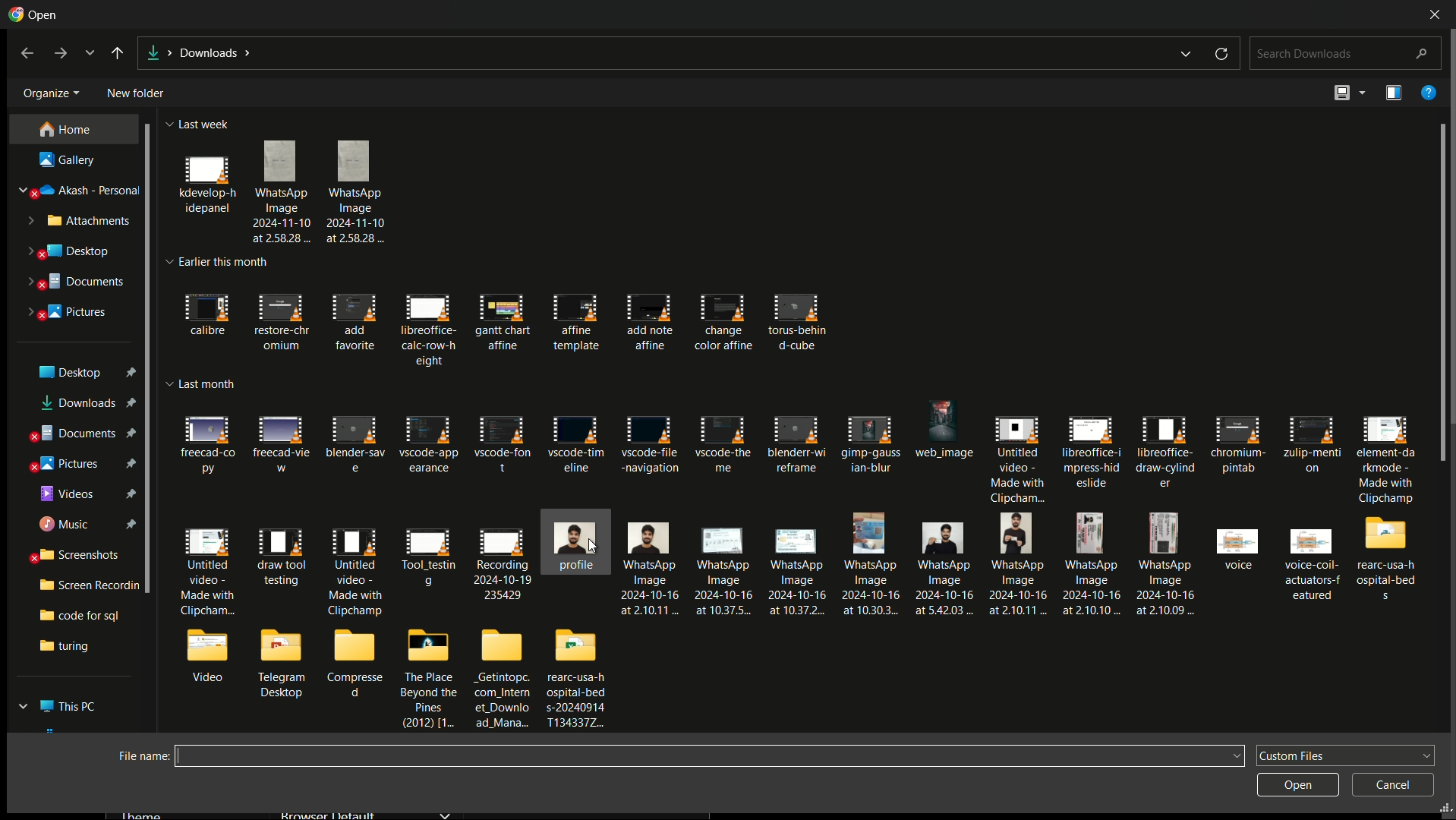 This screenshot has height=820, width=1456. Describe the element at coordinates (210, 383) in the screenshot. I see `last month` at that location.